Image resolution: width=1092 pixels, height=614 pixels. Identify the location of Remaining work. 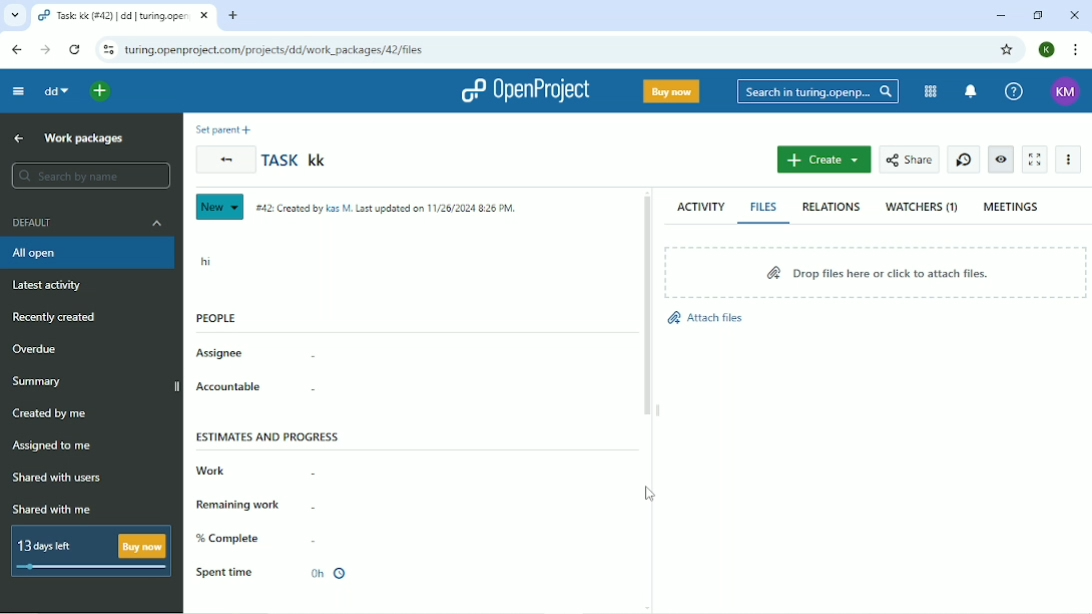
(238, 506).